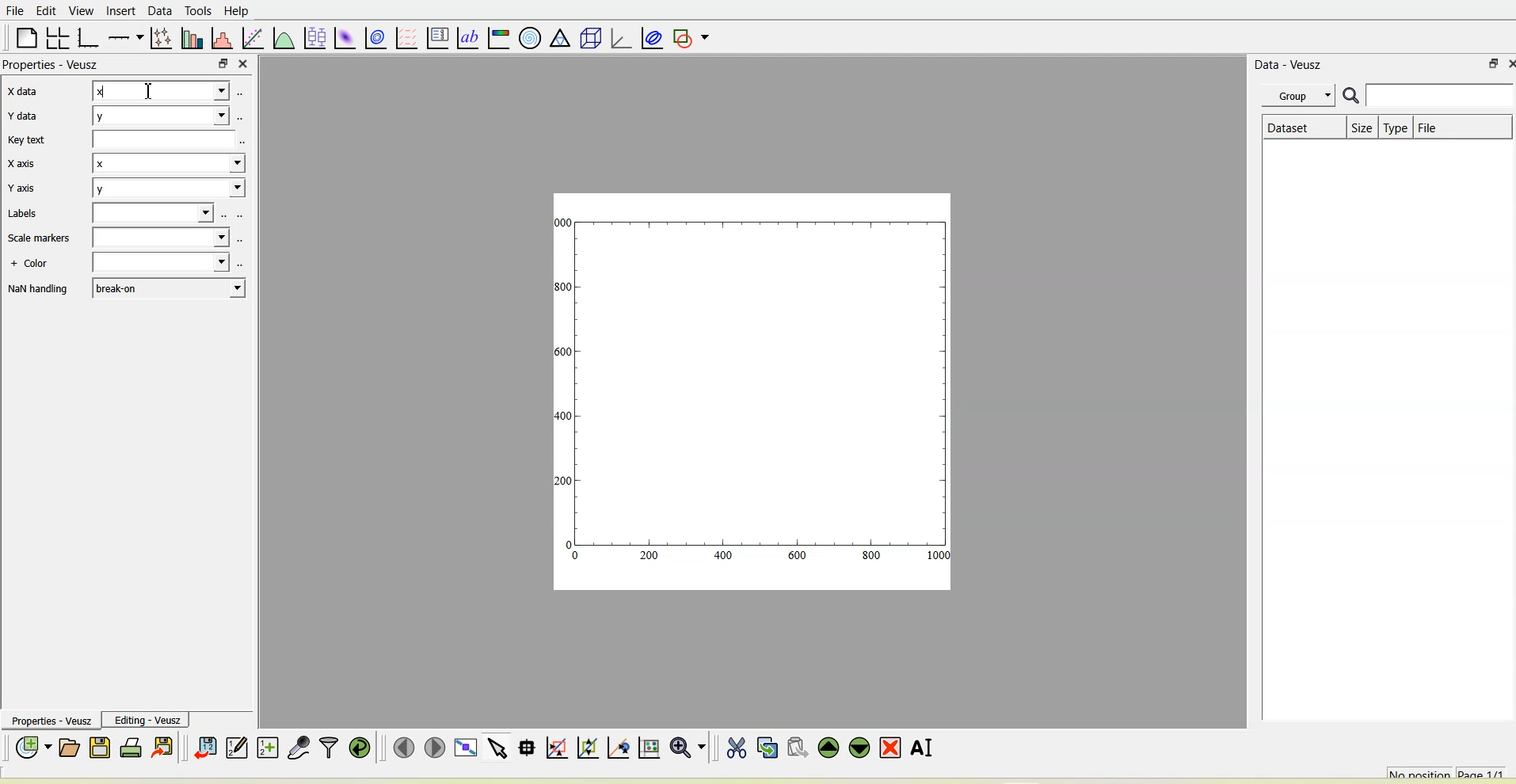 The height and width of the screenshot is (784, 1516). I want to click on x, so click(159, 91).